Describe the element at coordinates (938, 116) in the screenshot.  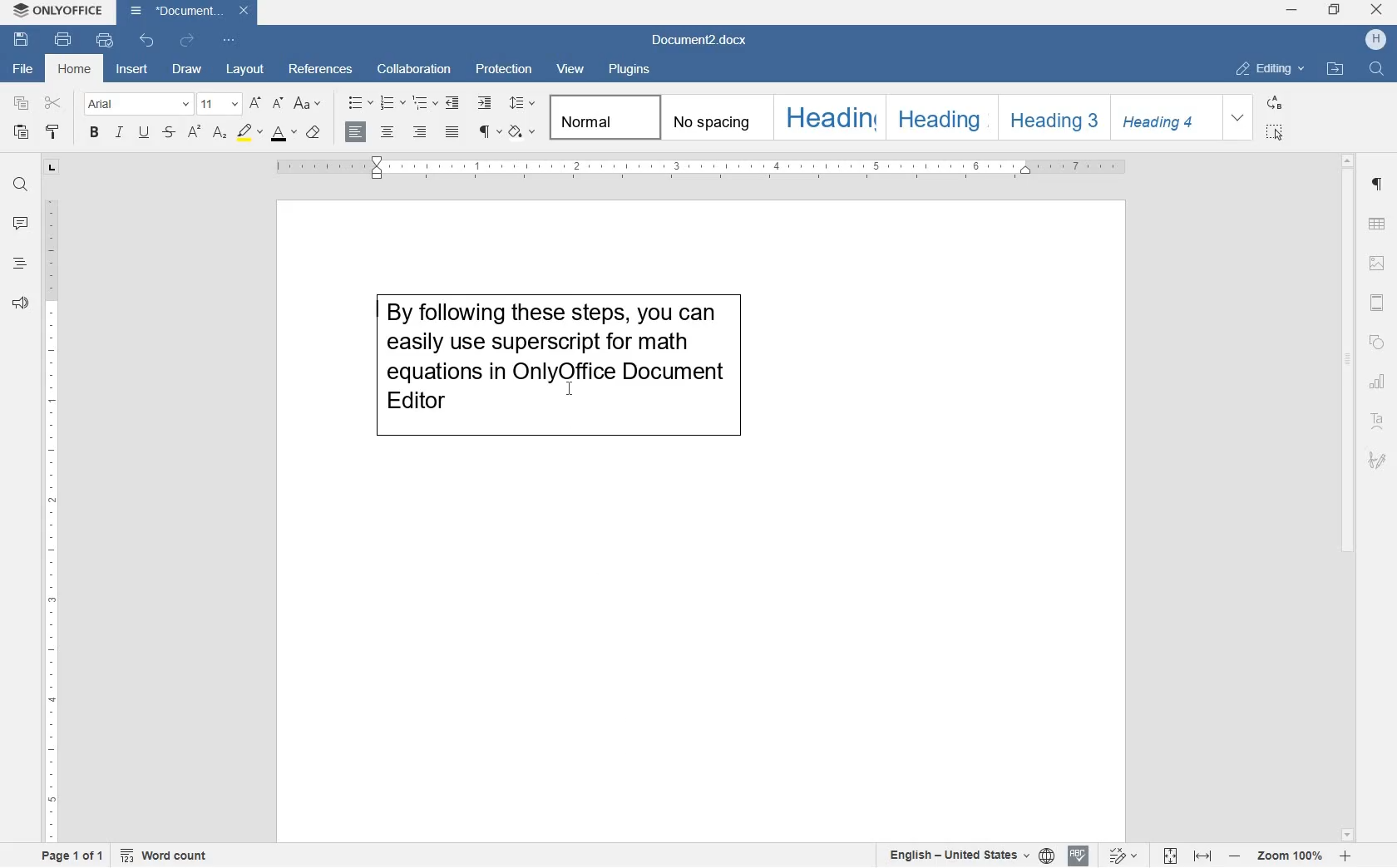
I see `HEADING 2` at that location.